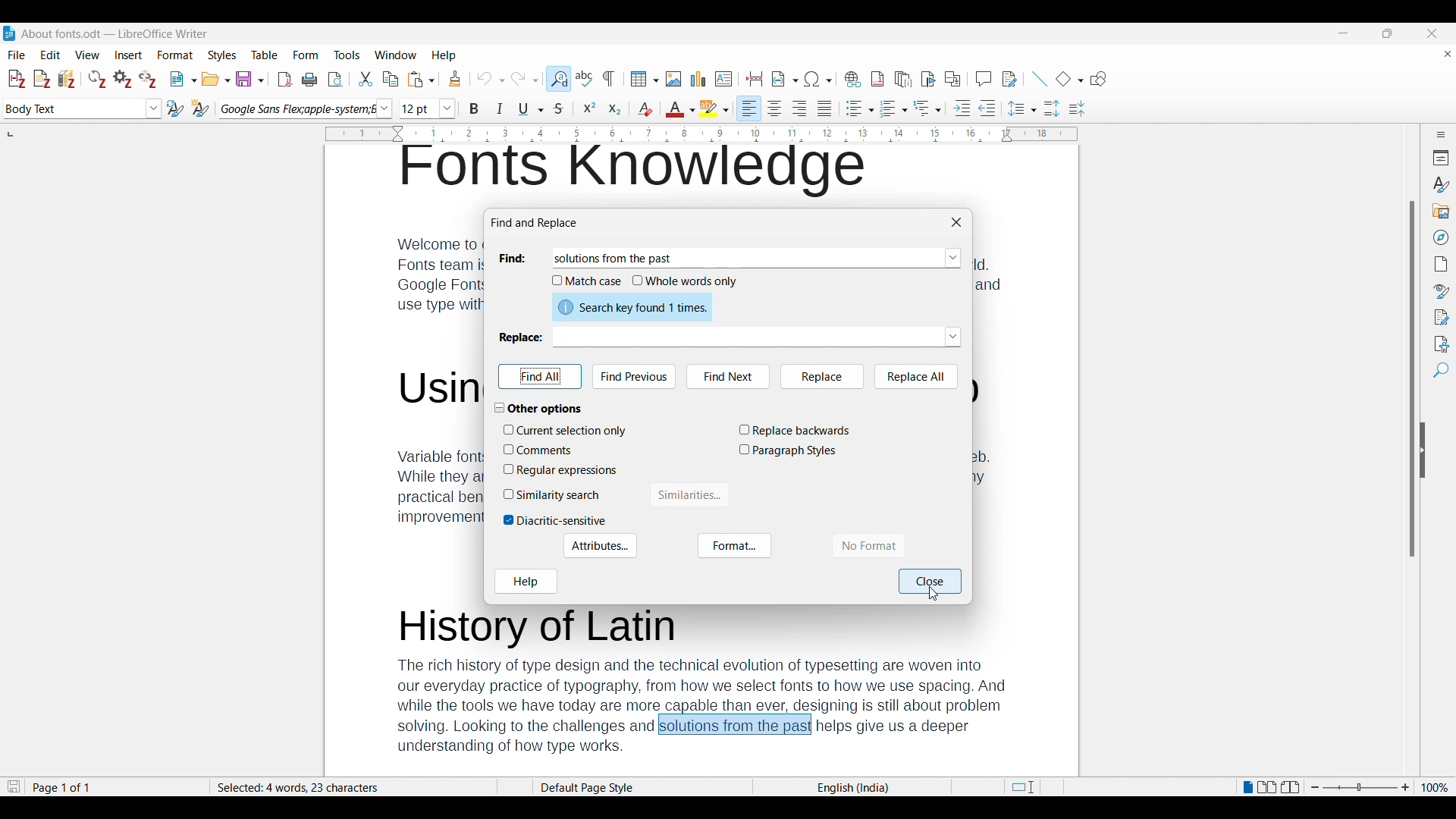  What do you see at coordinates (444, 55) in the screenshot?
I see `Help menu` at bounding box center [444, 55].